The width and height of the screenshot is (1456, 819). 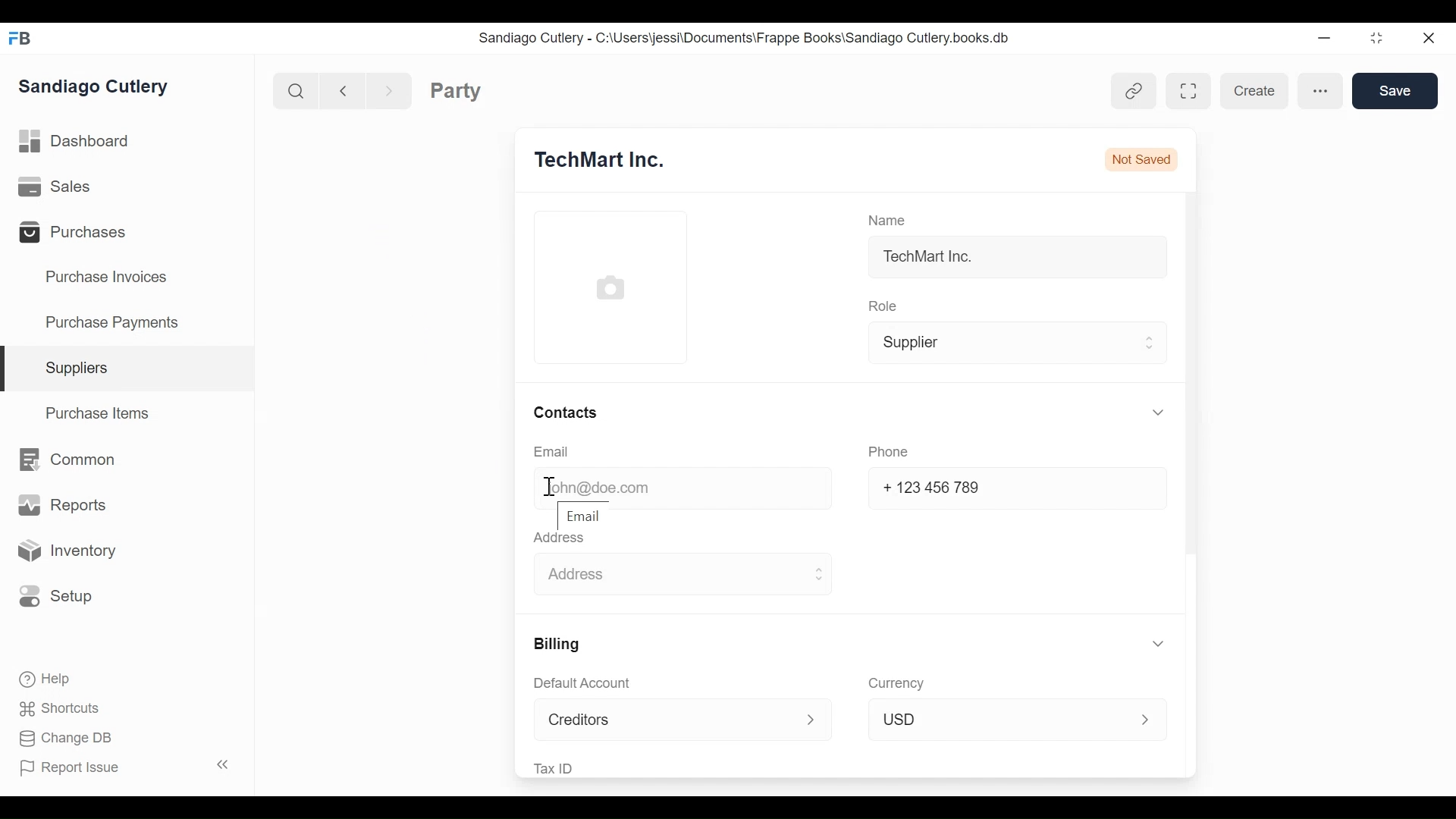 I want to click on Address, so click(x=564, y=540).